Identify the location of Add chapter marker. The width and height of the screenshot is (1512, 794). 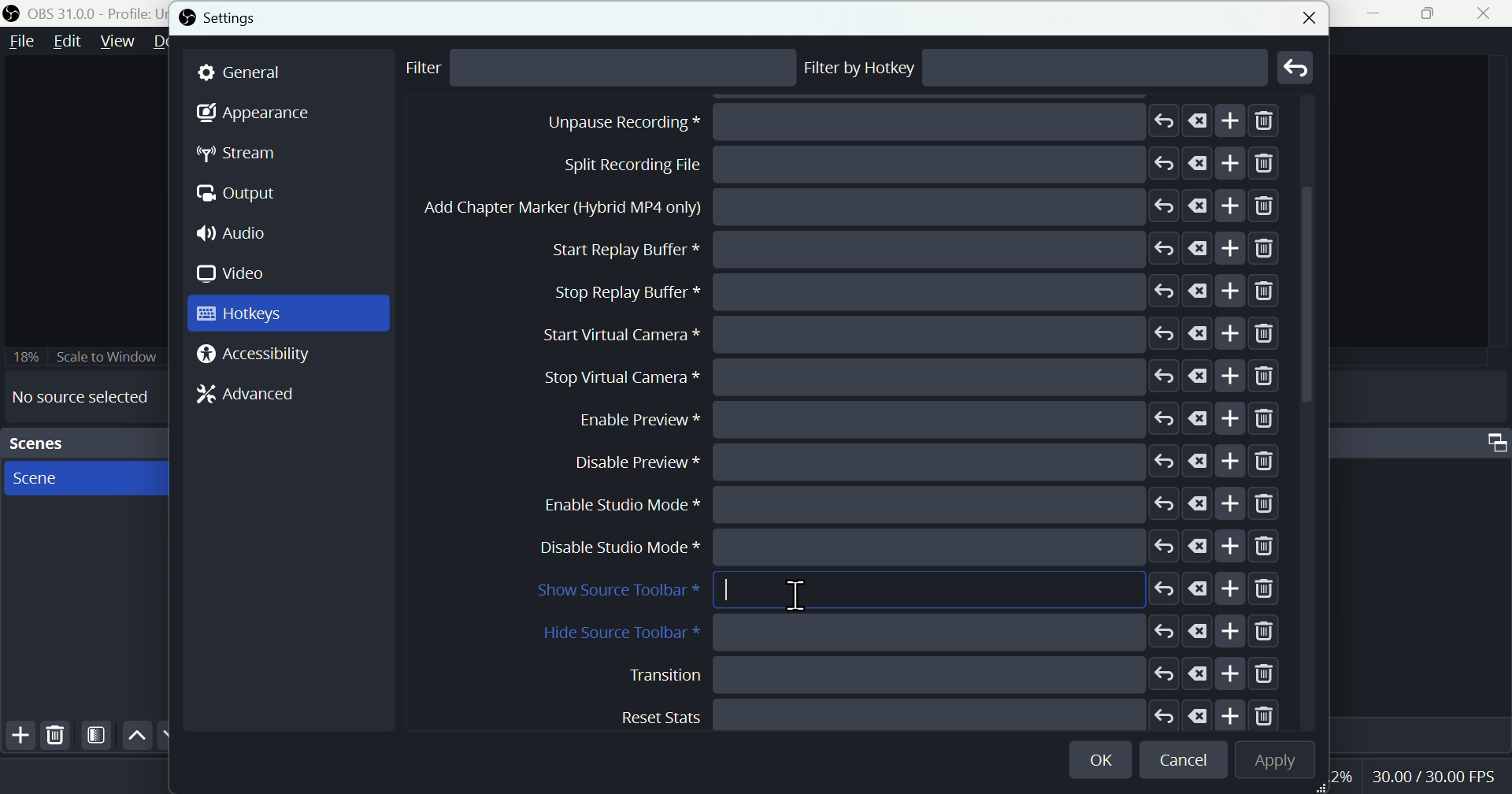
(915, 377).